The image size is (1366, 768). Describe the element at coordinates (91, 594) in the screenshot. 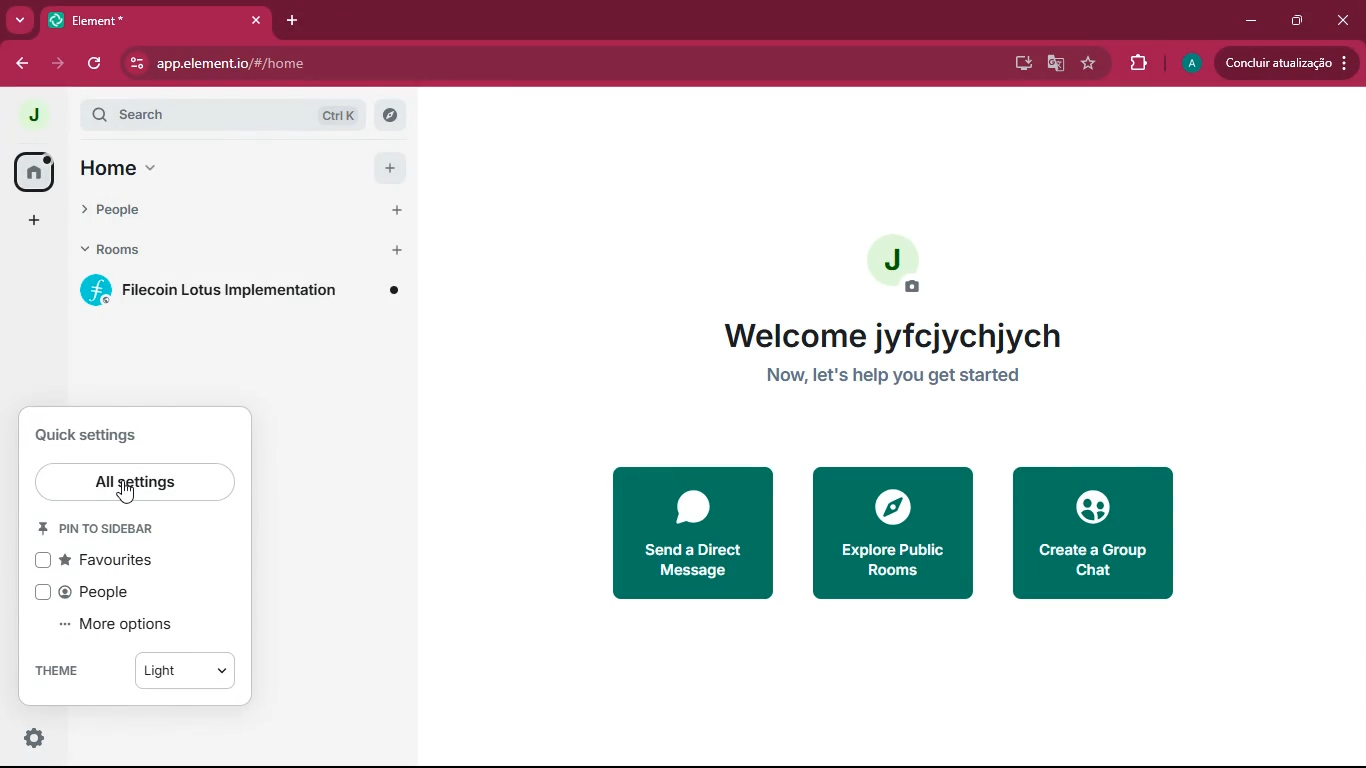

I see `people` at that location.